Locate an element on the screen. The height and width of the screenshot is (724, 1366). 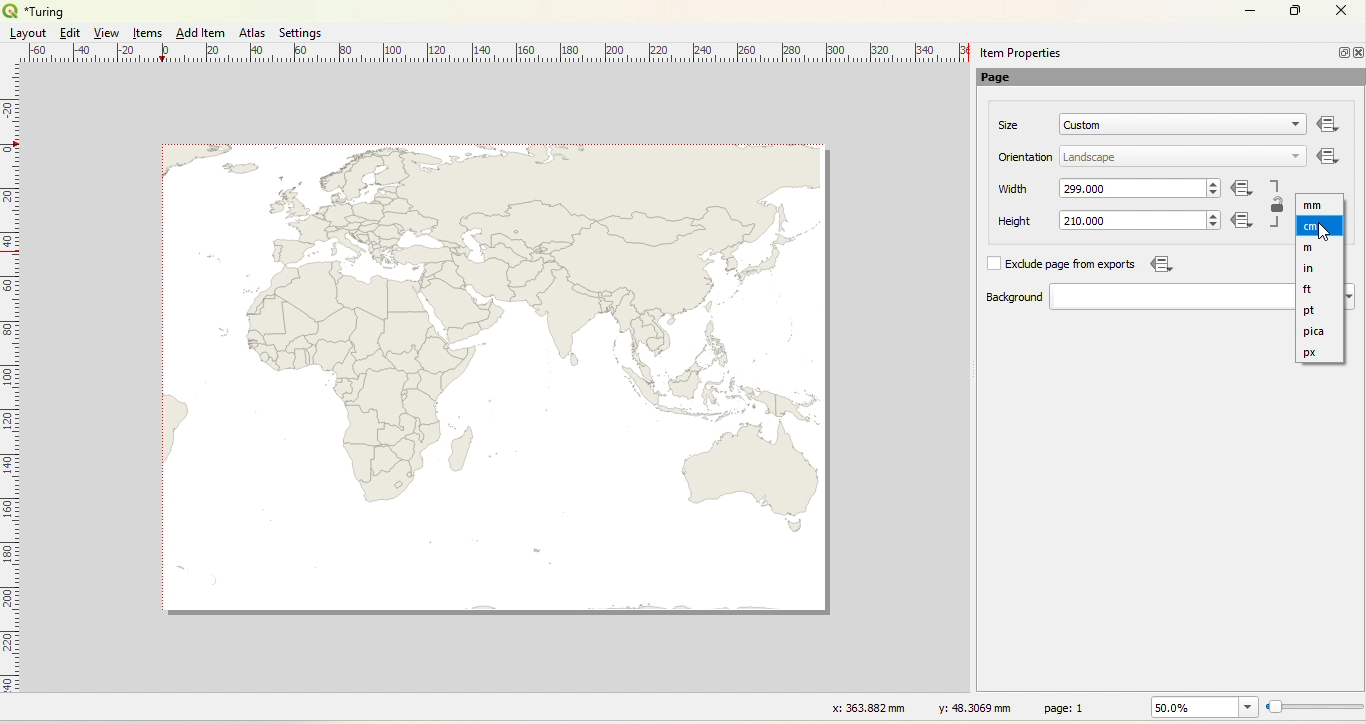
landscape is located at coordinates (1090, 158).